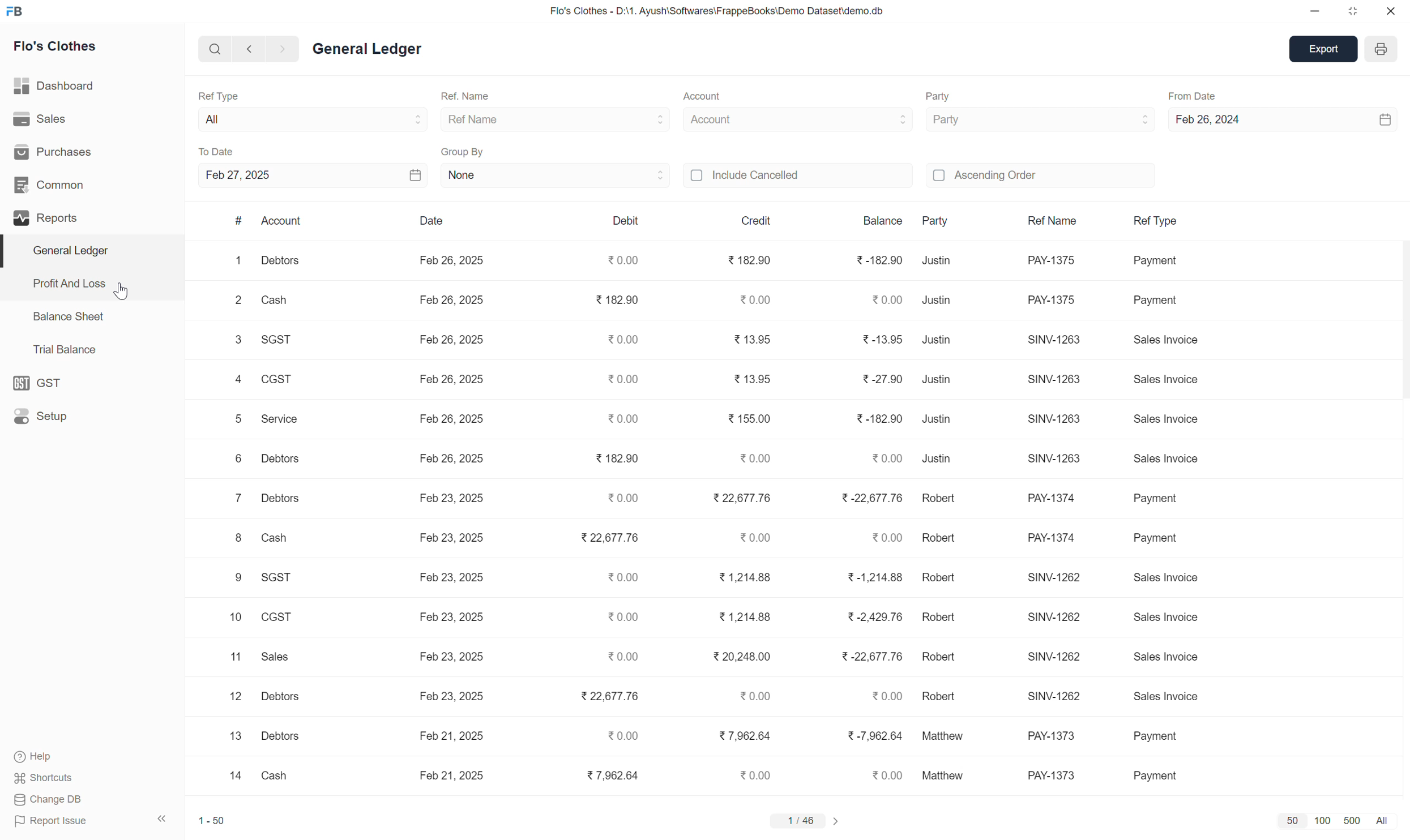 The height and width of the screenshot is (840, 1410). I want to click on ₹22,677.76, so click(605, 698).